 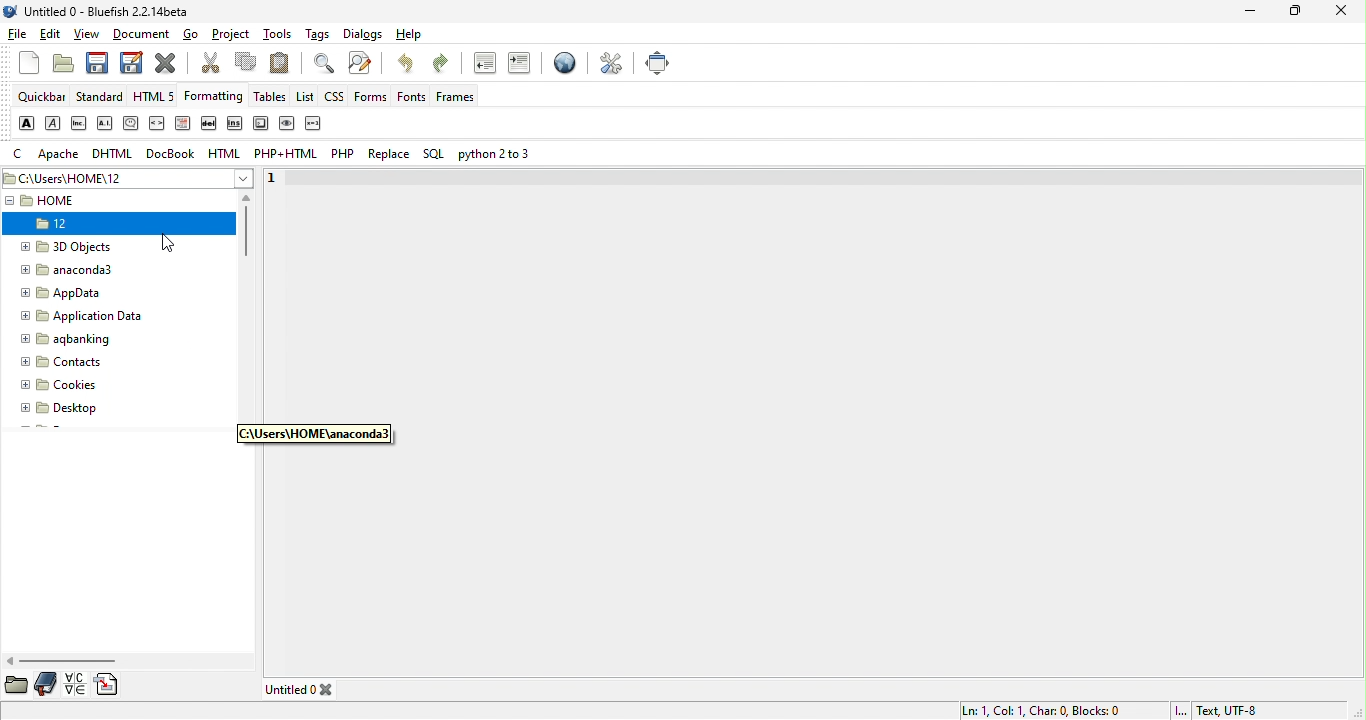 I want to click on open, so click(x=61, y=64).